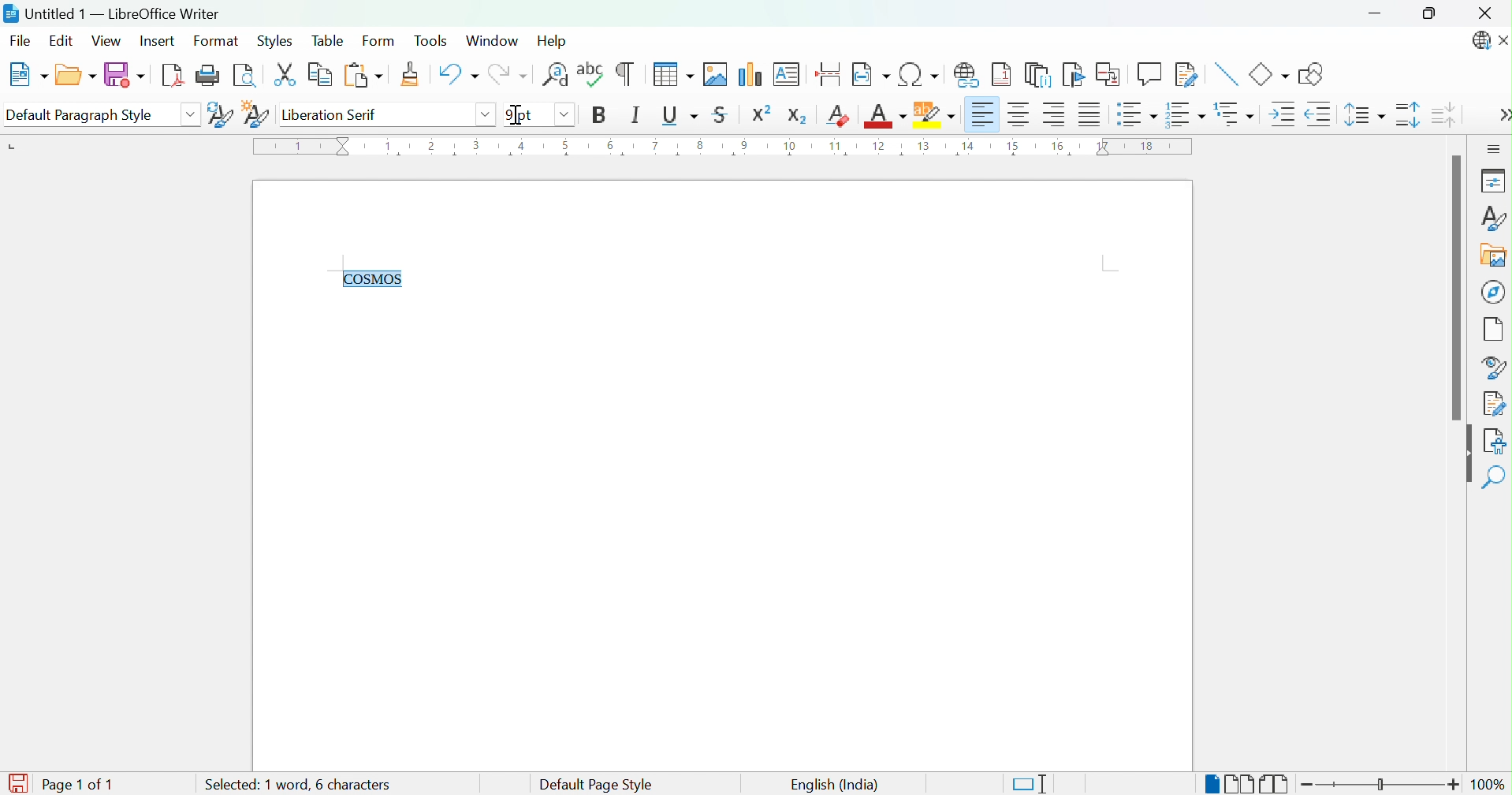 The height and width of the screenshot is (795, 1512). What do you see at coordinates (1492, 180) in the screenshot?
I see `Properties` at bounding box center [1492, 180].